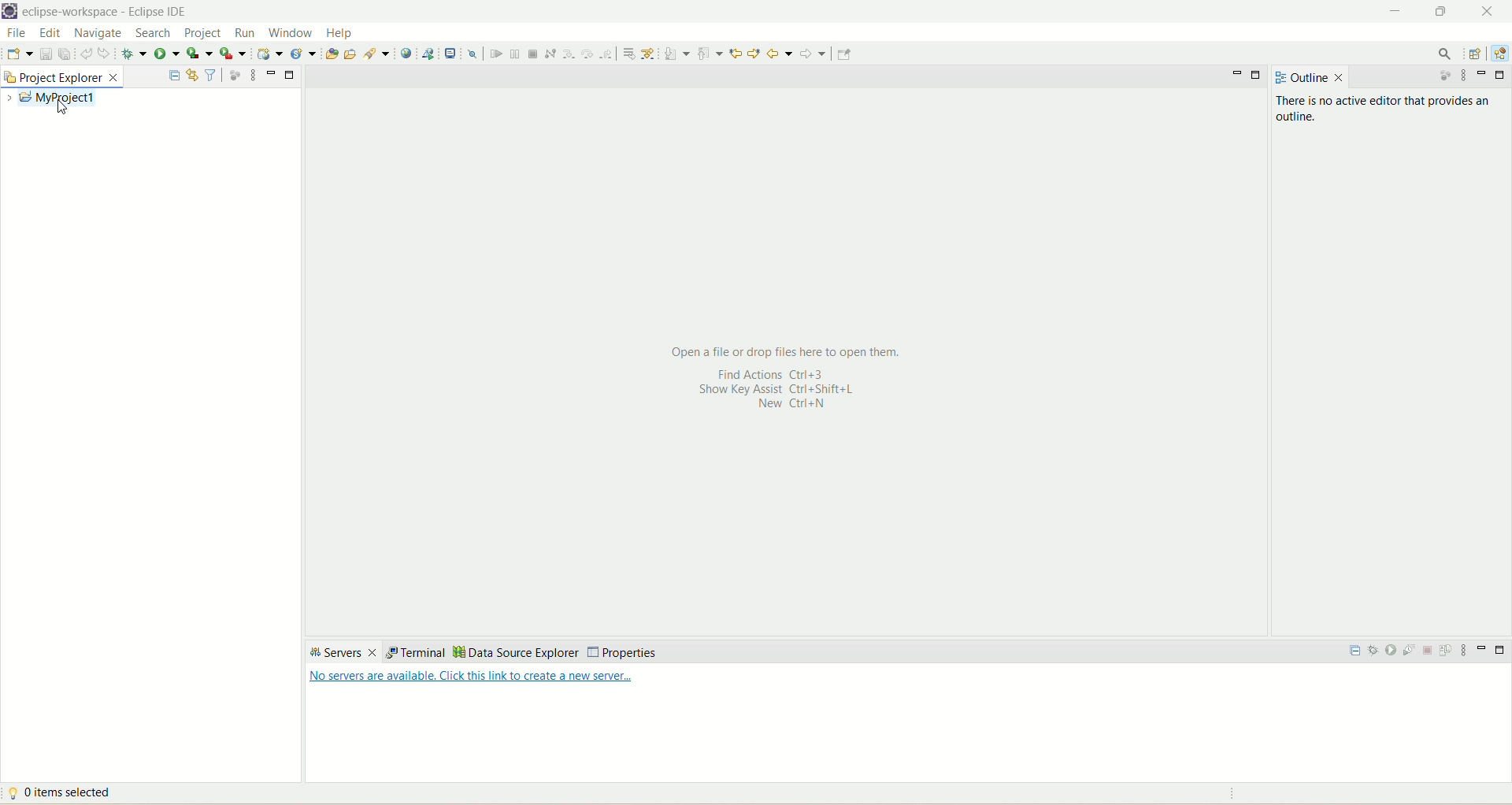 The image size is (1512, 805). I want to click on step into, so click(569, 55).